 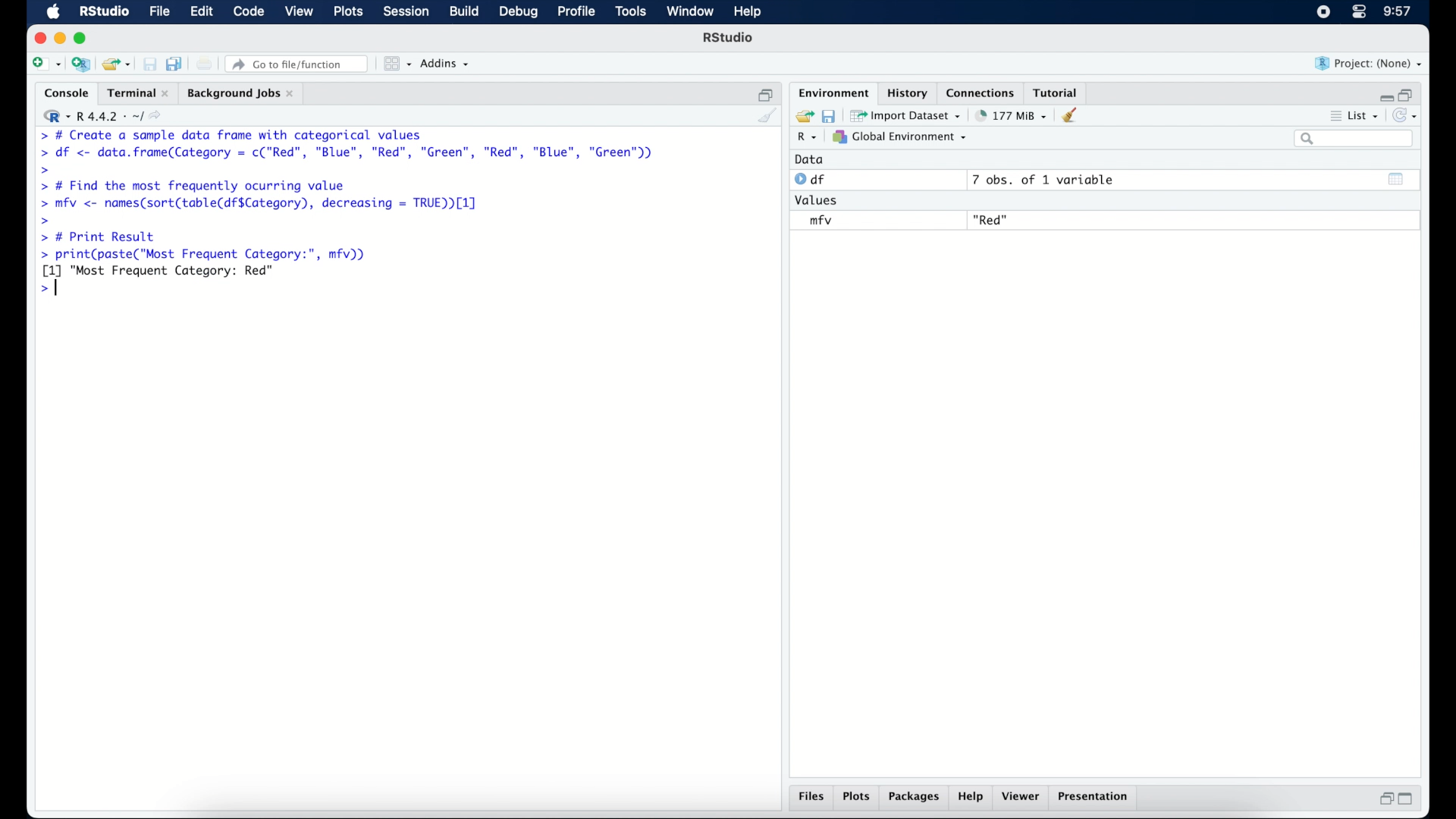 What do you see at coordinates (1333, 115) in the screenshot?
I see `more options` at bounding box center [1333, 115].